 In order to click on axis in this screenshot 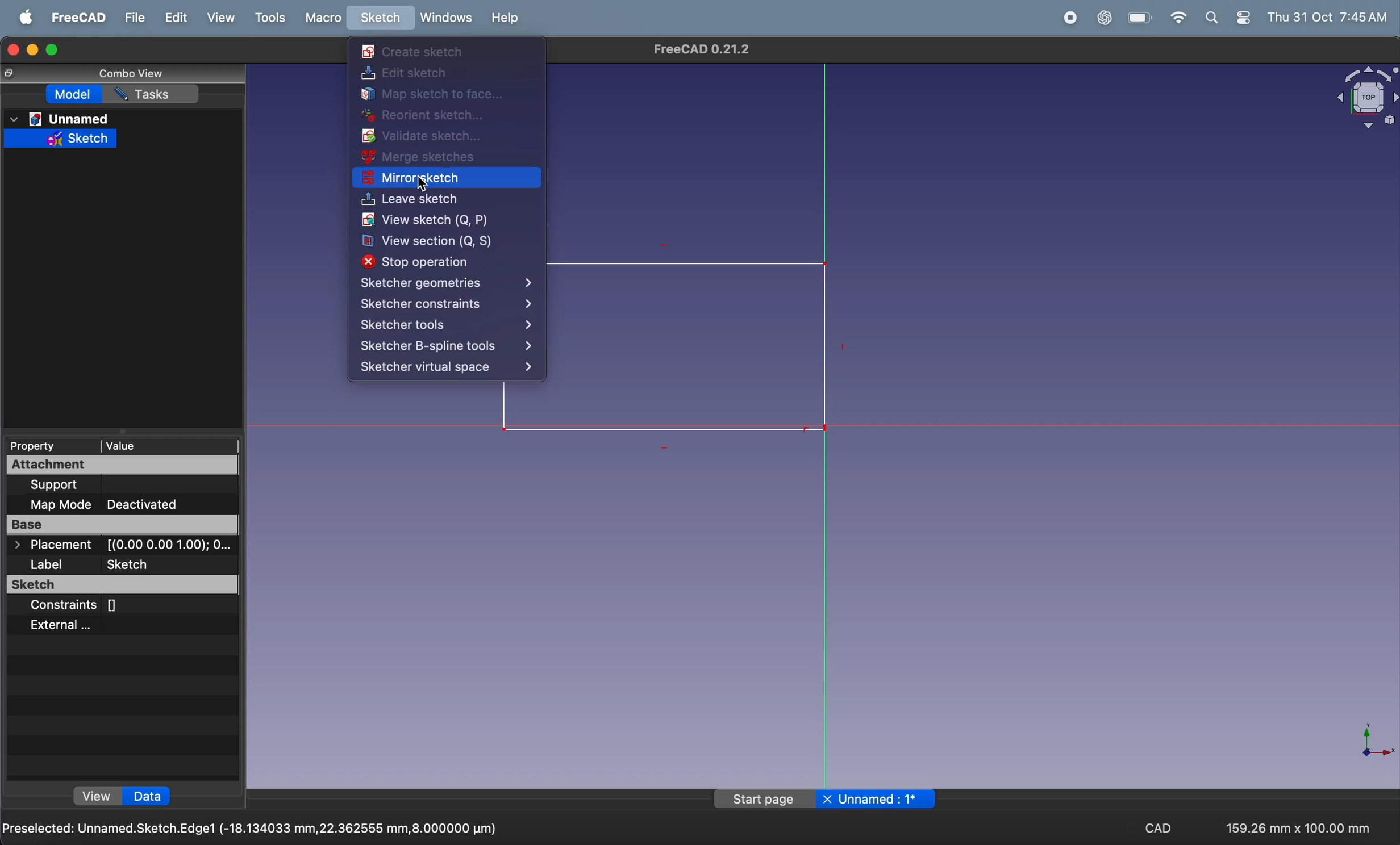, I will do `click(1370, 746)`.